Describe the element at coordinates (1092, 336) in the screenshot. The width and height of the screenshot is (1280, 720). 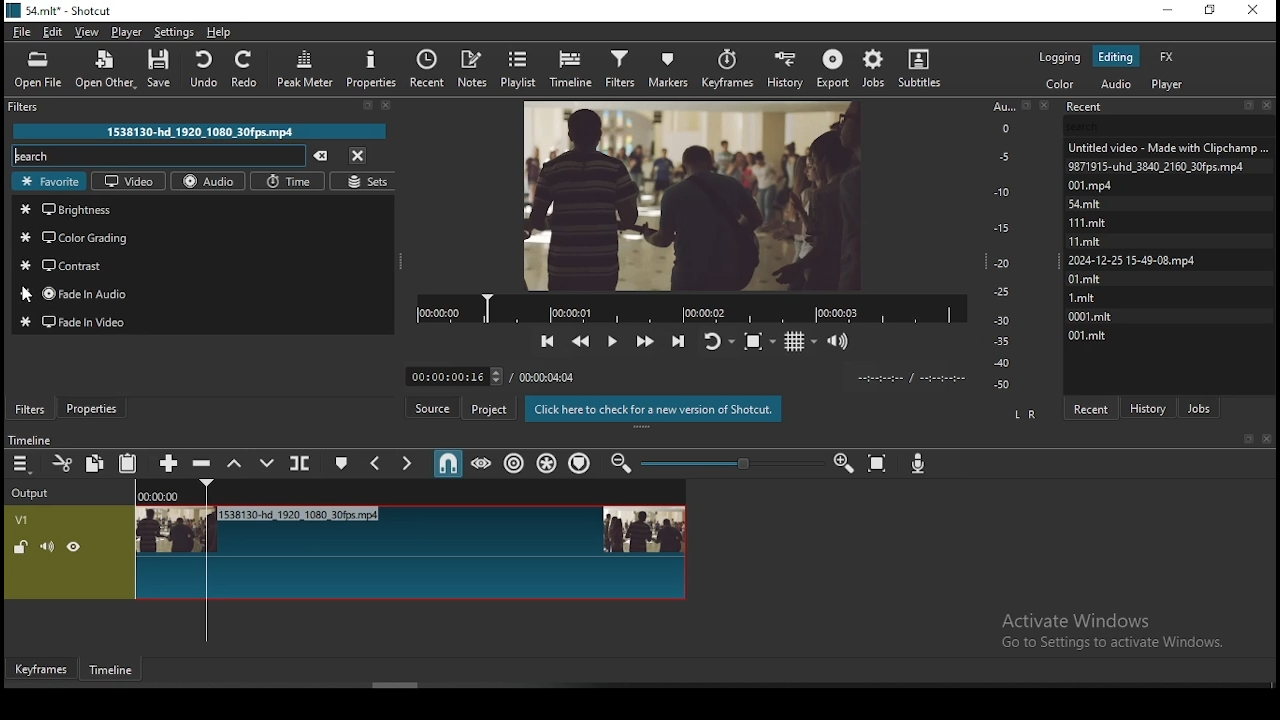
I see `001.mit` at that location.